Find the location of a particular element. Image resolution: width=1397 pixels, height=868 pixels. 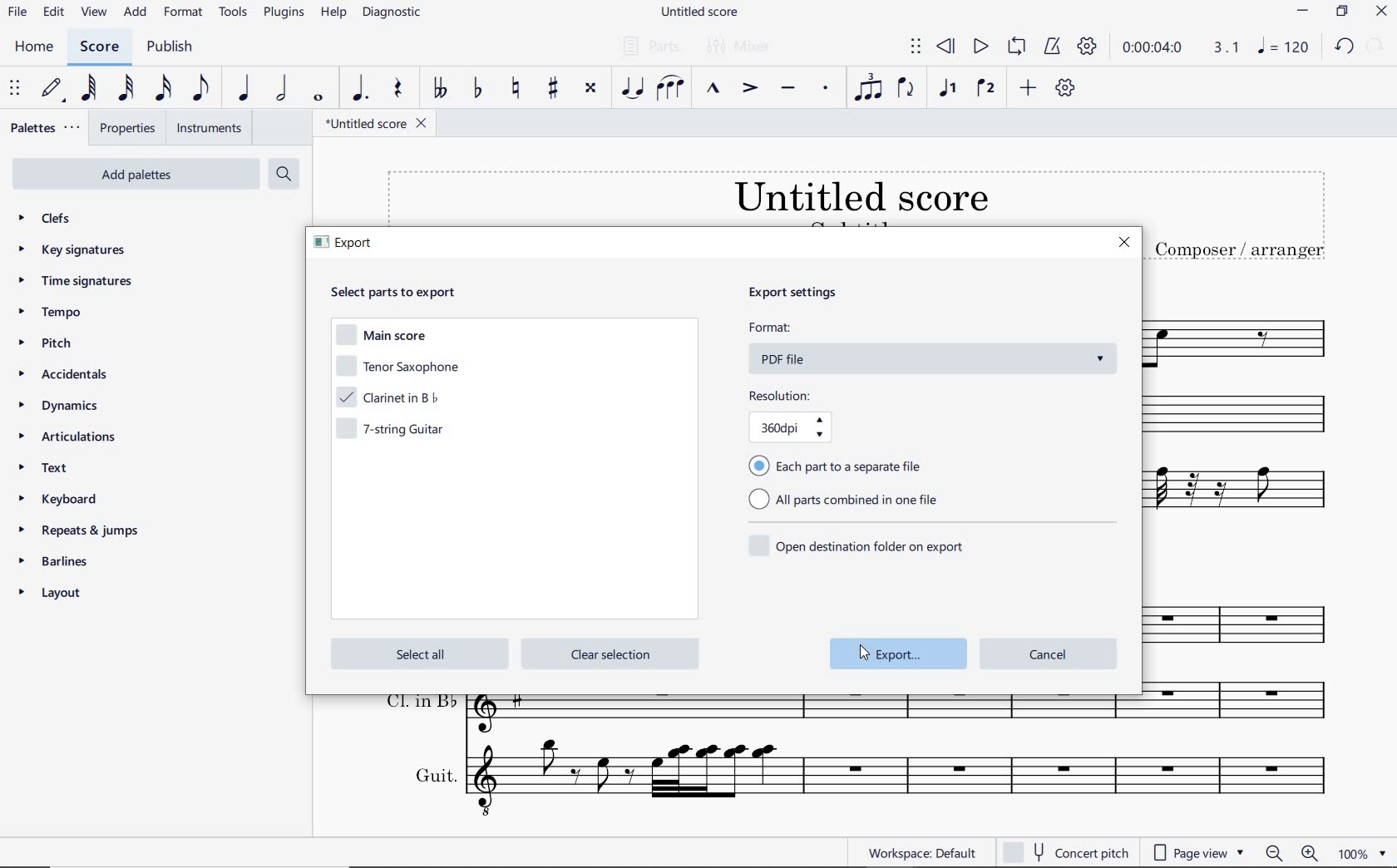

DYNAMICS is located at coordinates (62, 408).